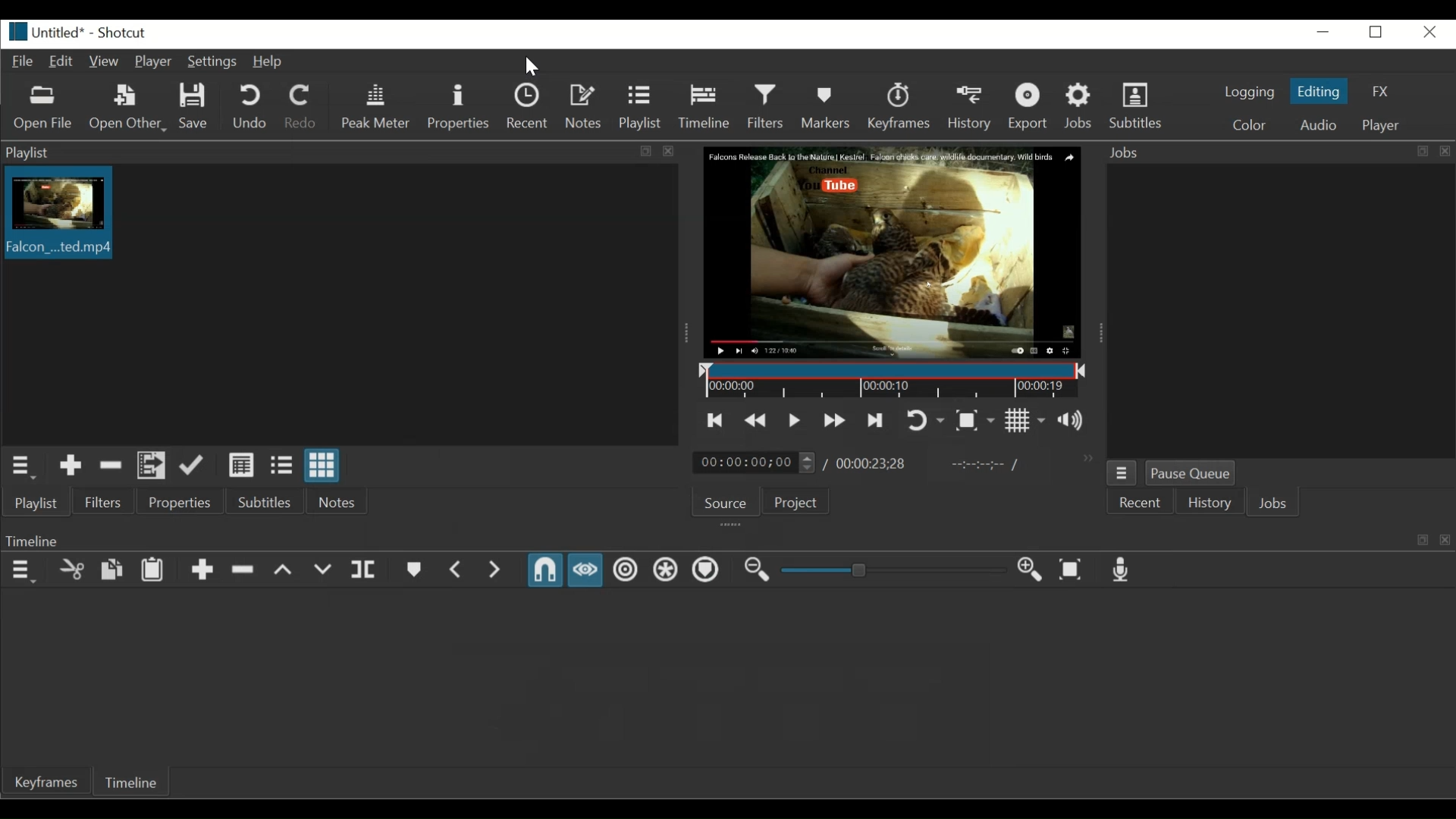 The image size is (1456, 819). I want to click on Timeline, so click(128, 783).